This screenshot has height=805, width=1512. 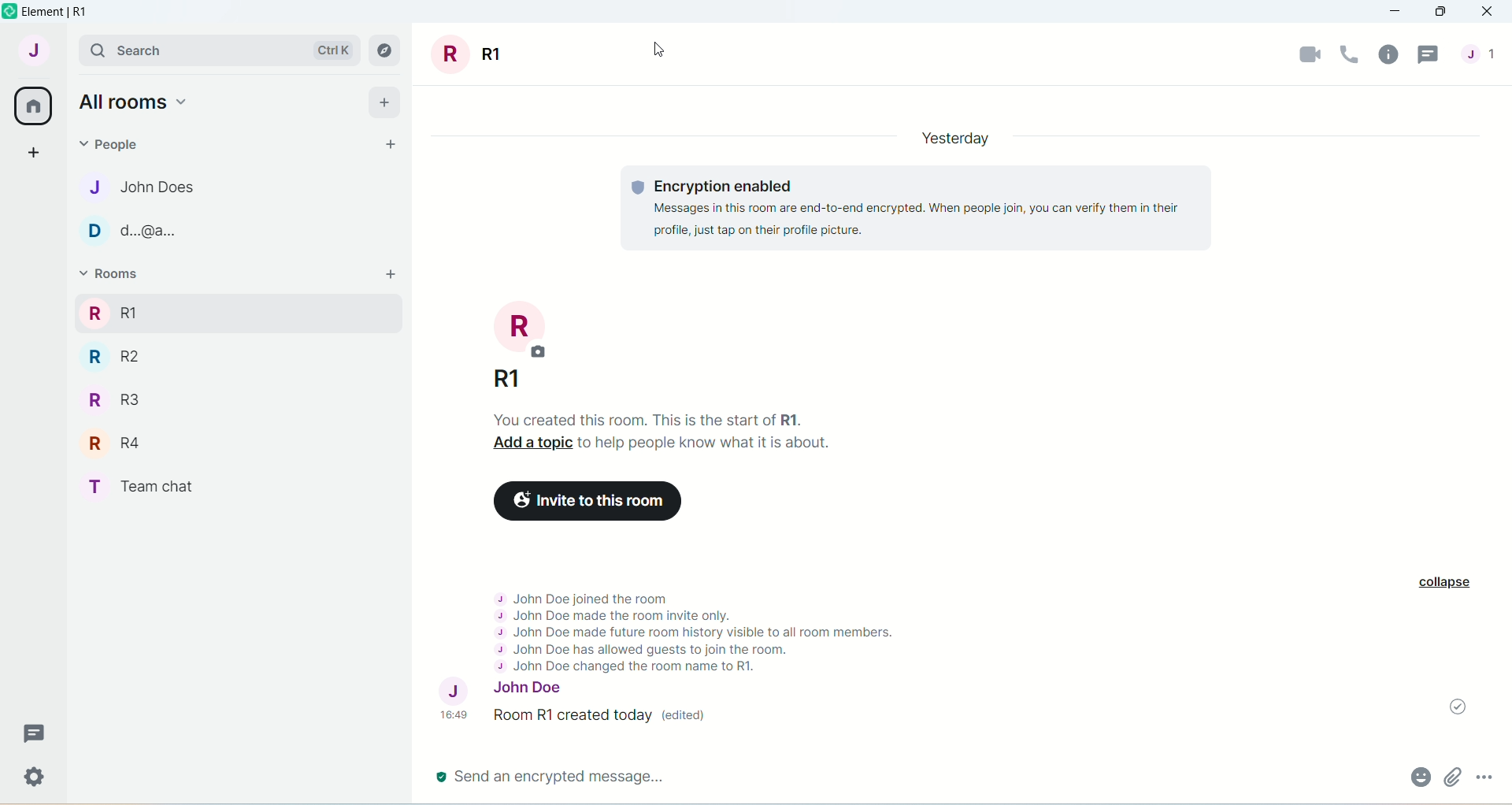 What do you see at coordinates (113, 399) in the screenshot?
I see `R3` at bounding box center [113, 399].